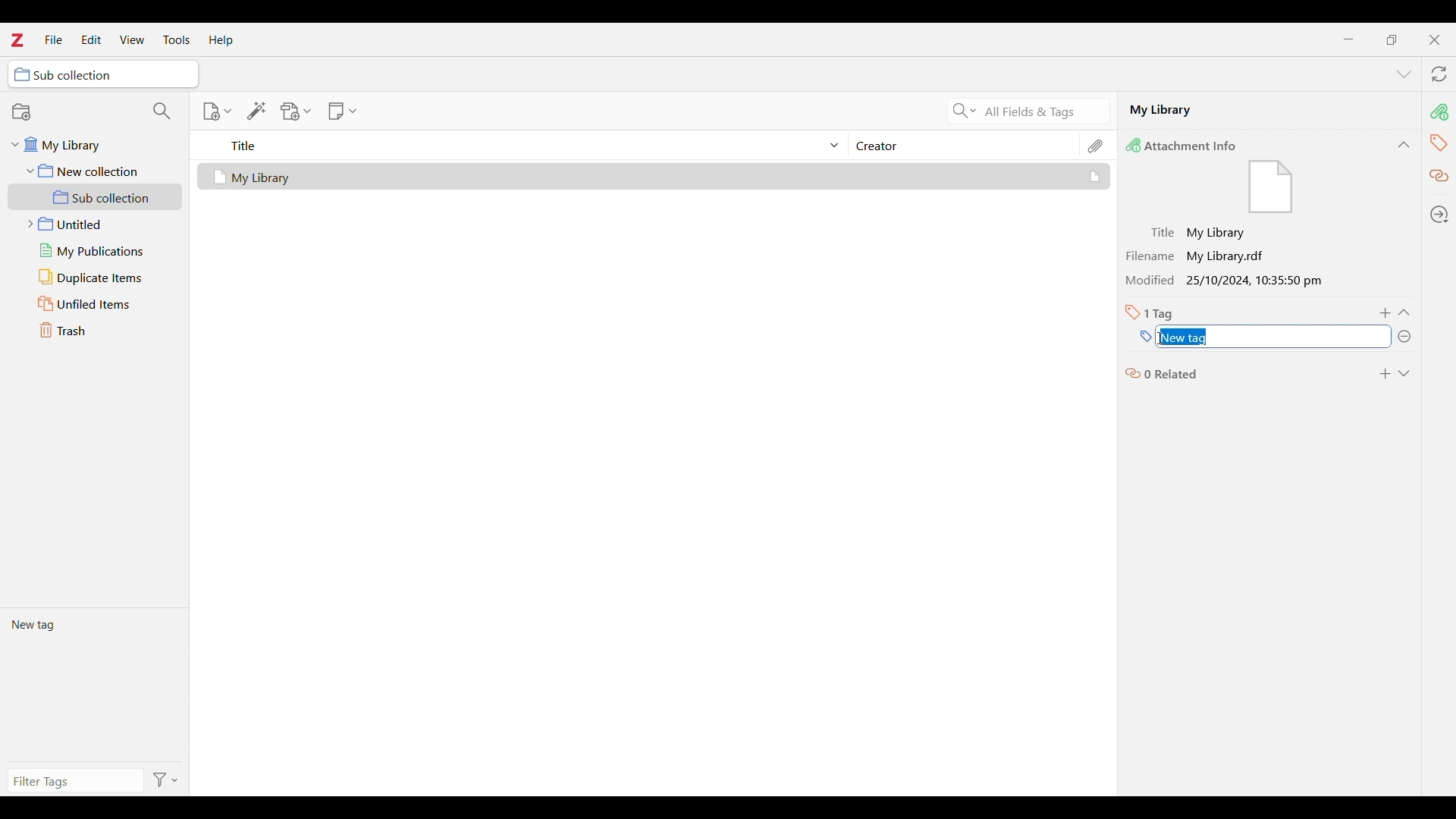 The image size is (1456, 819). I want to click on Creator column, so click(963, 145).